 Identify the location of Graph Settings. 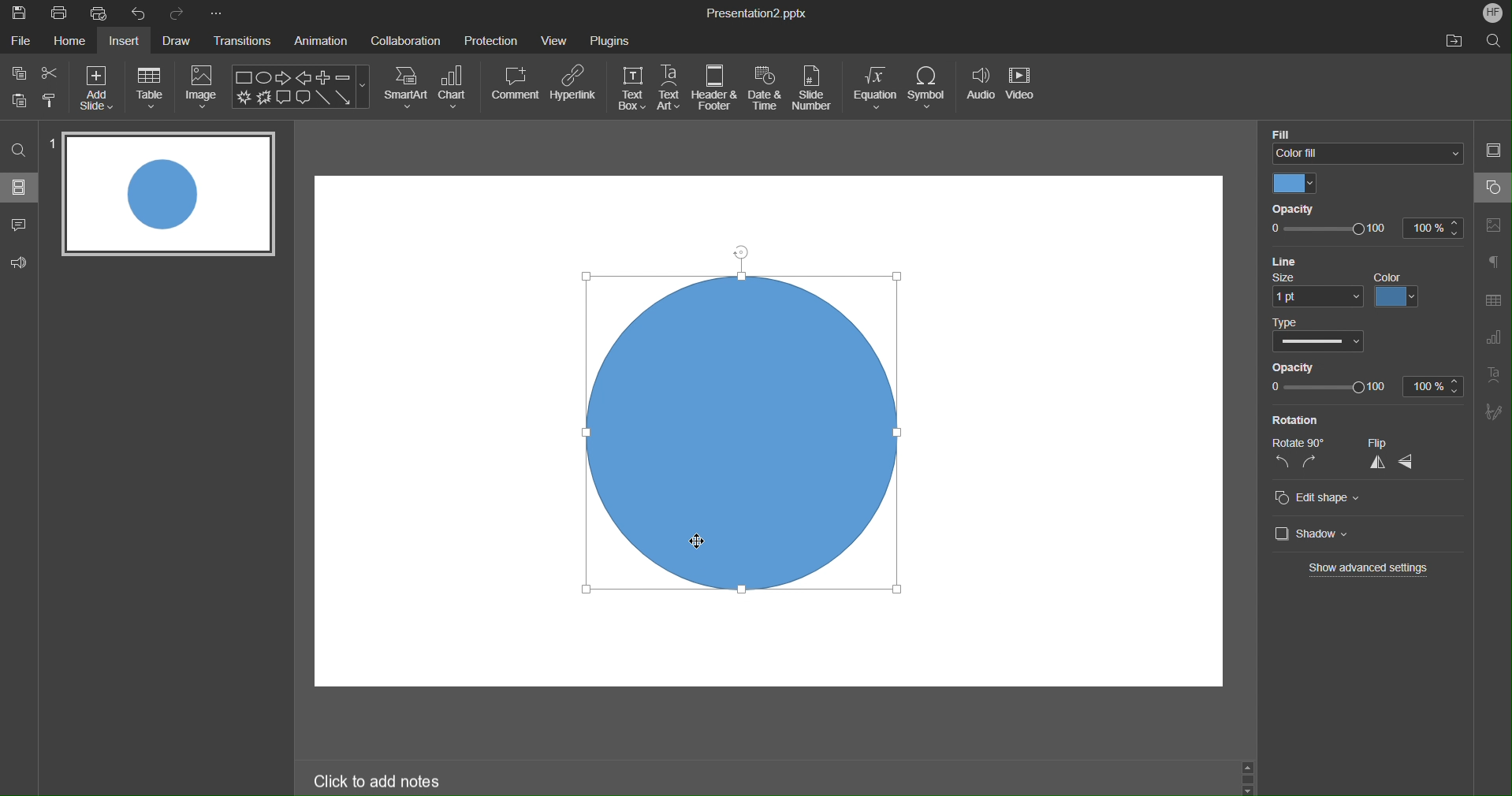
(1490, 340).